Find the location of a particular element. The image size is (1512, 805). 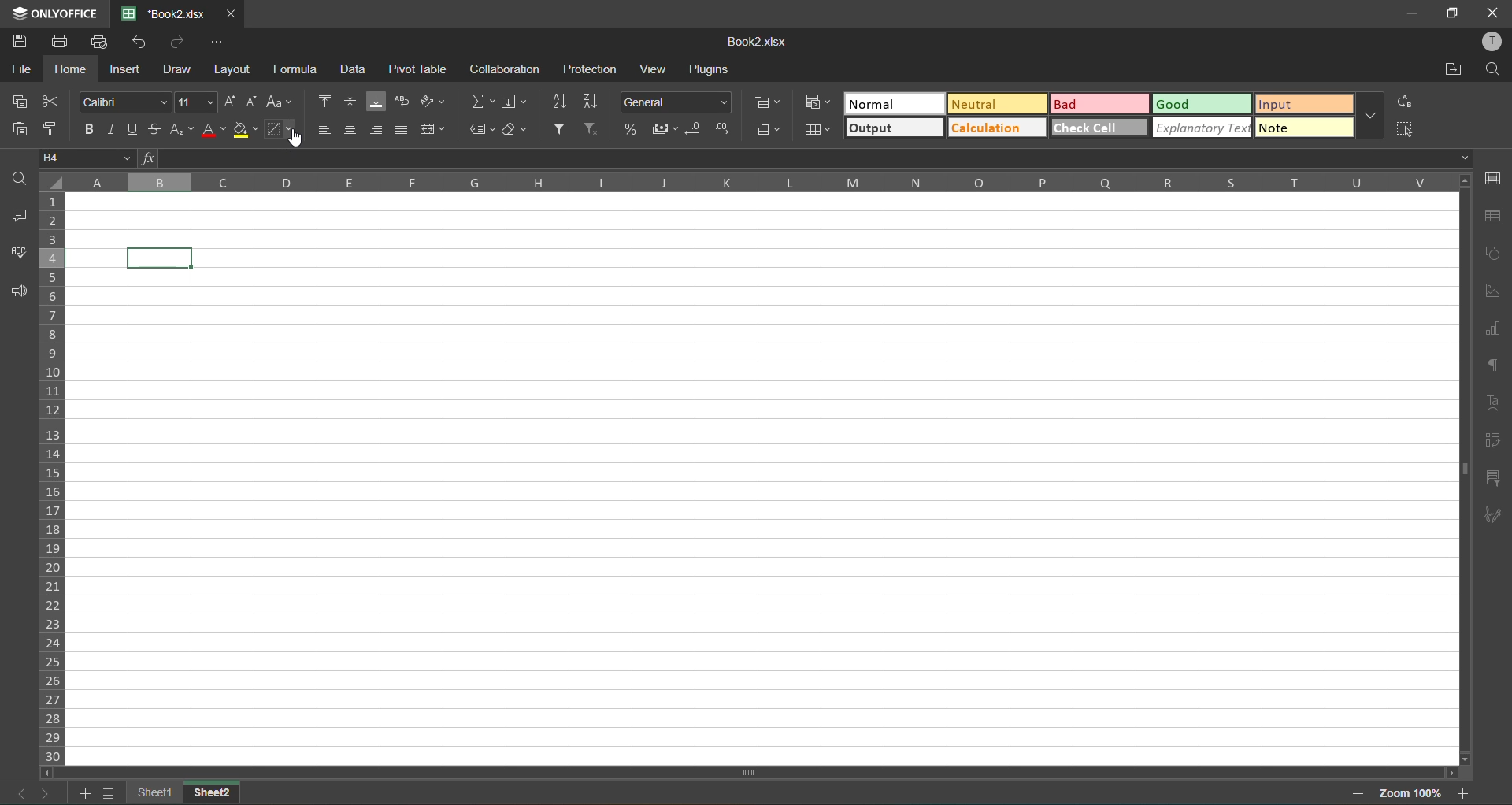

summation is located at coordinates (484, 101).